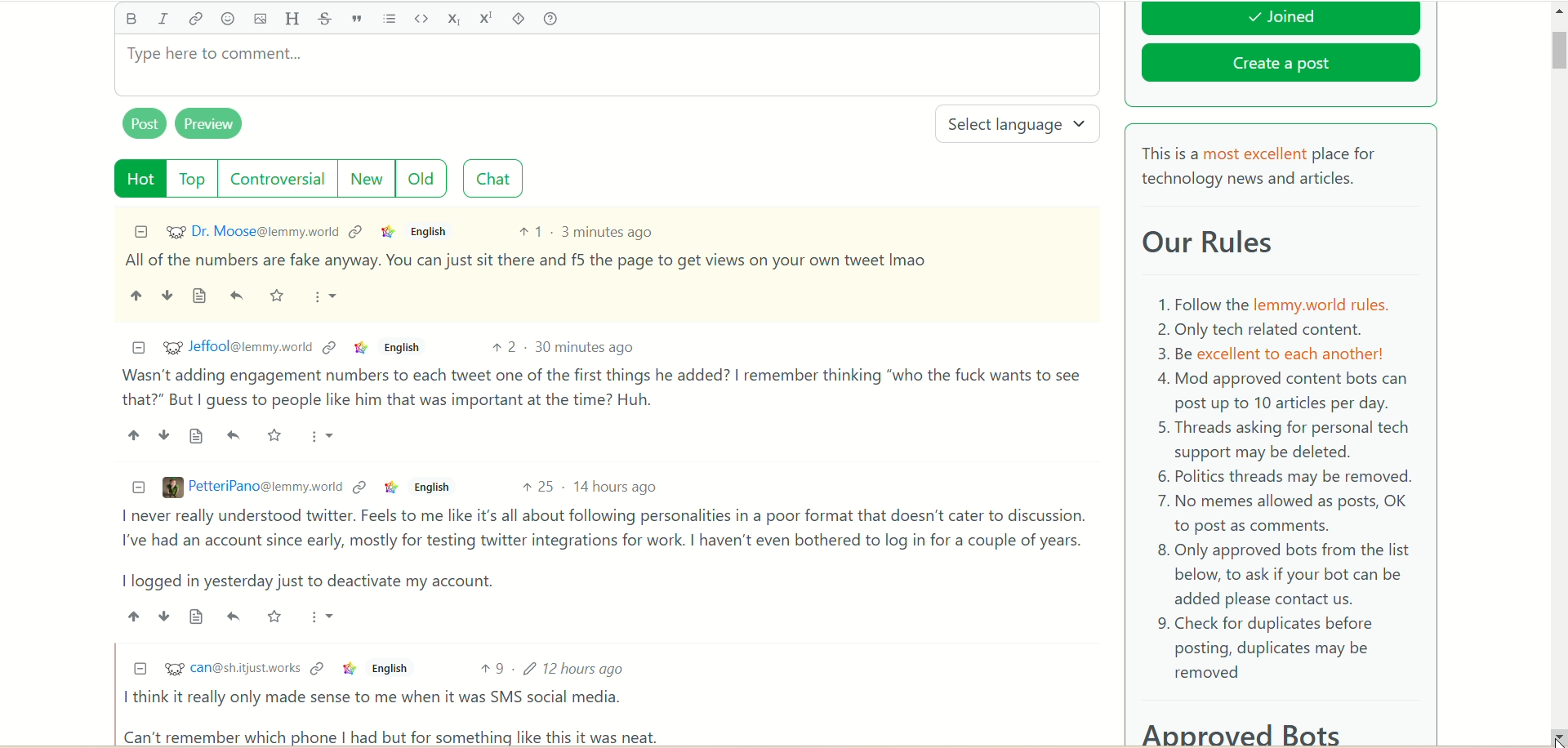  I want to click on list, so click(390, 19).